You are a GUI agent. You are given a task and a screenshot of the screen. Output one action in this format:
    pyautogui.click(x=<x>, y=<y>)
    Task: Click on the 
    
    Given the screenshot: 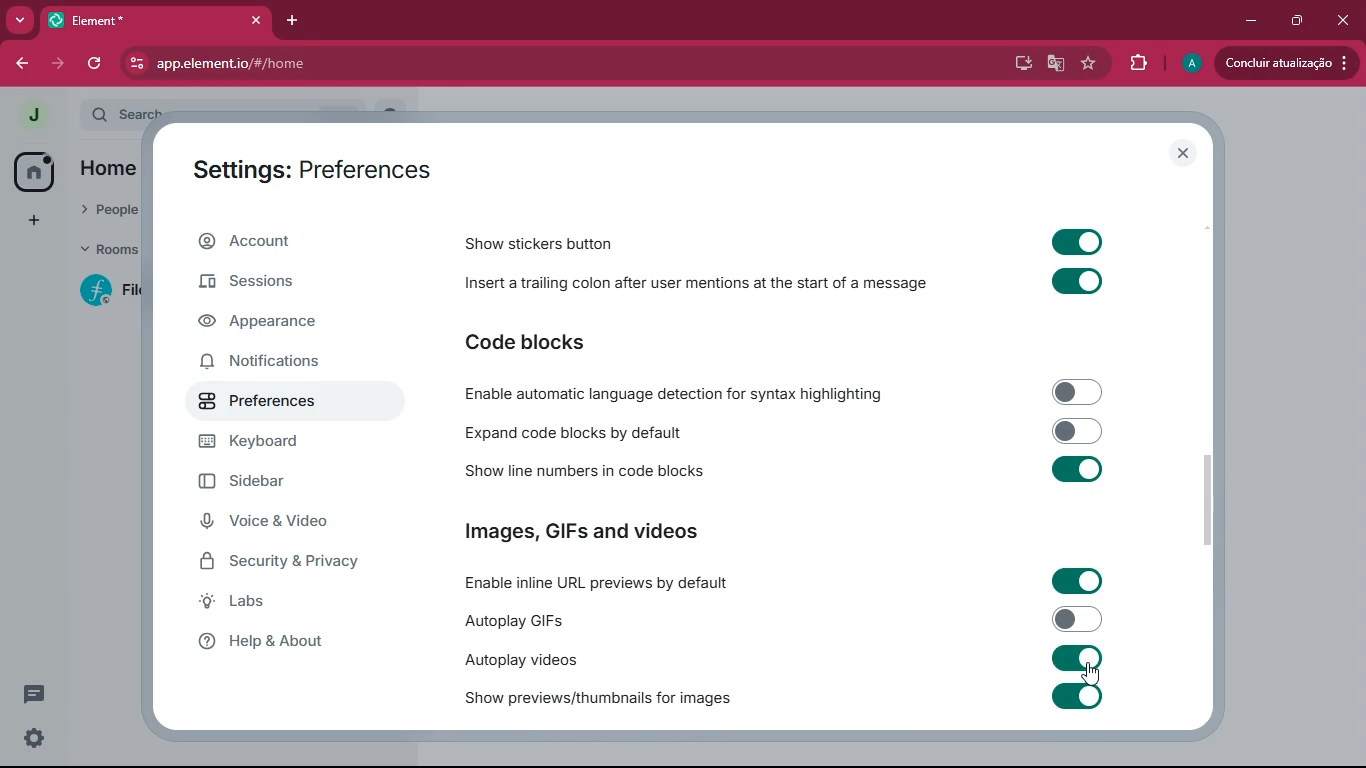 What is the action you would take?
    pyautogui.click(x=1078, y=391)
    